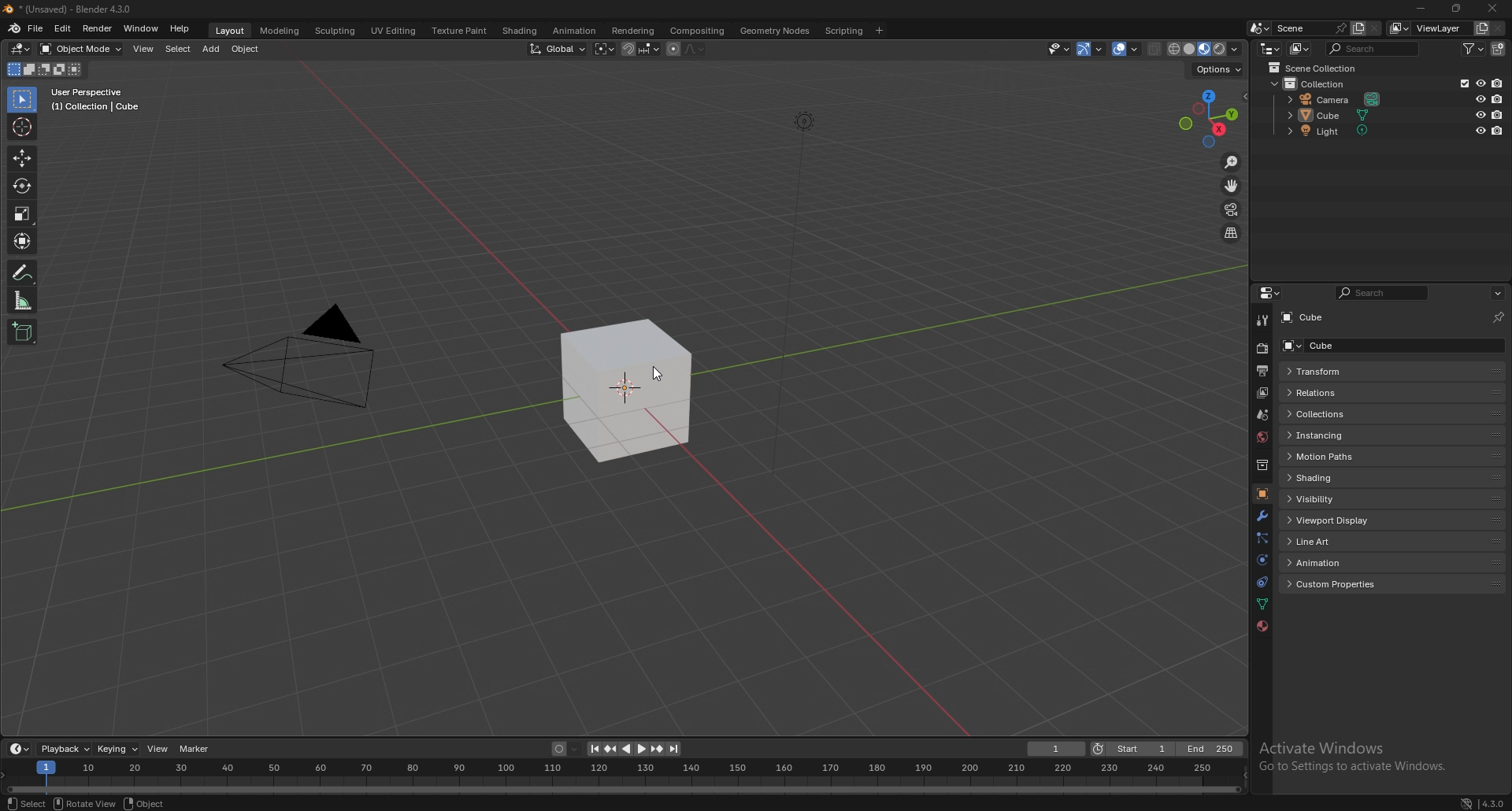  What do you see at coordinates (1057, 749) in the screenshot?
I see `current frame` at bounding box center [1057, 749].